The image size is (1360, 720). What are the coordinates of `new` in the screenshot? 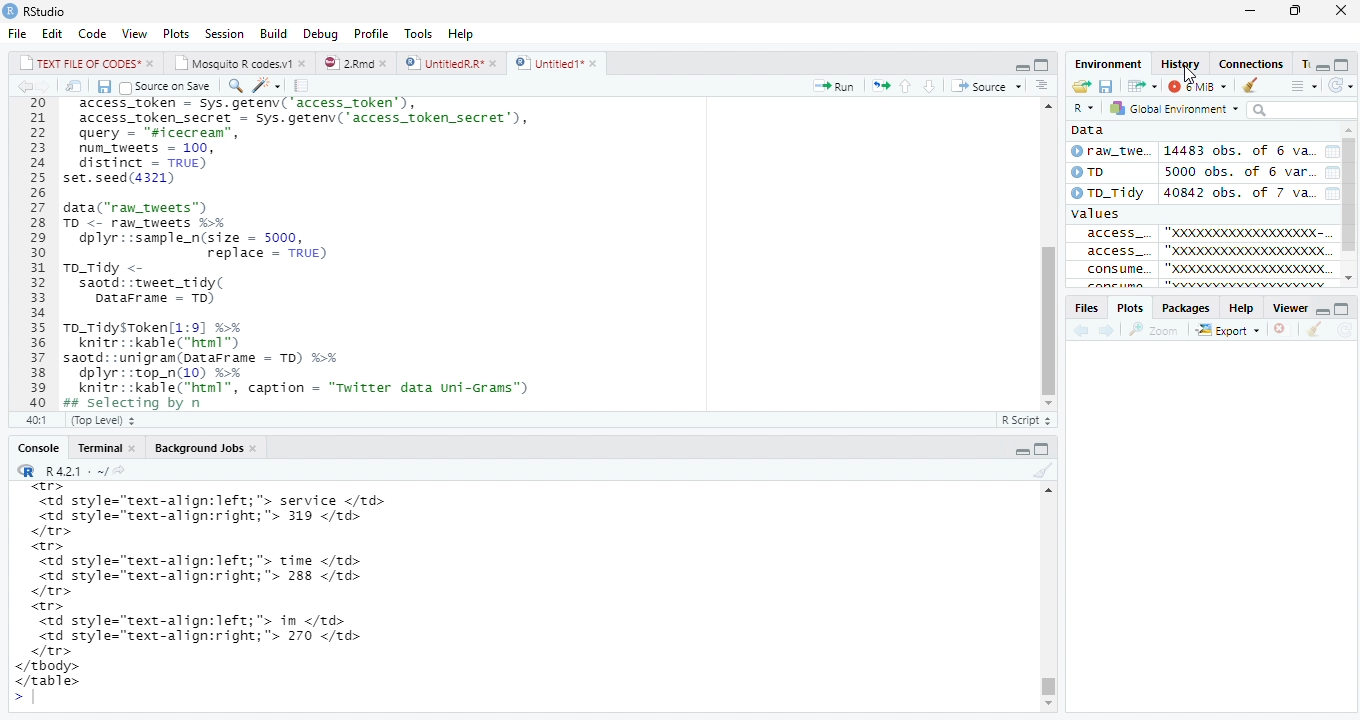 It's located at (1081, 85).